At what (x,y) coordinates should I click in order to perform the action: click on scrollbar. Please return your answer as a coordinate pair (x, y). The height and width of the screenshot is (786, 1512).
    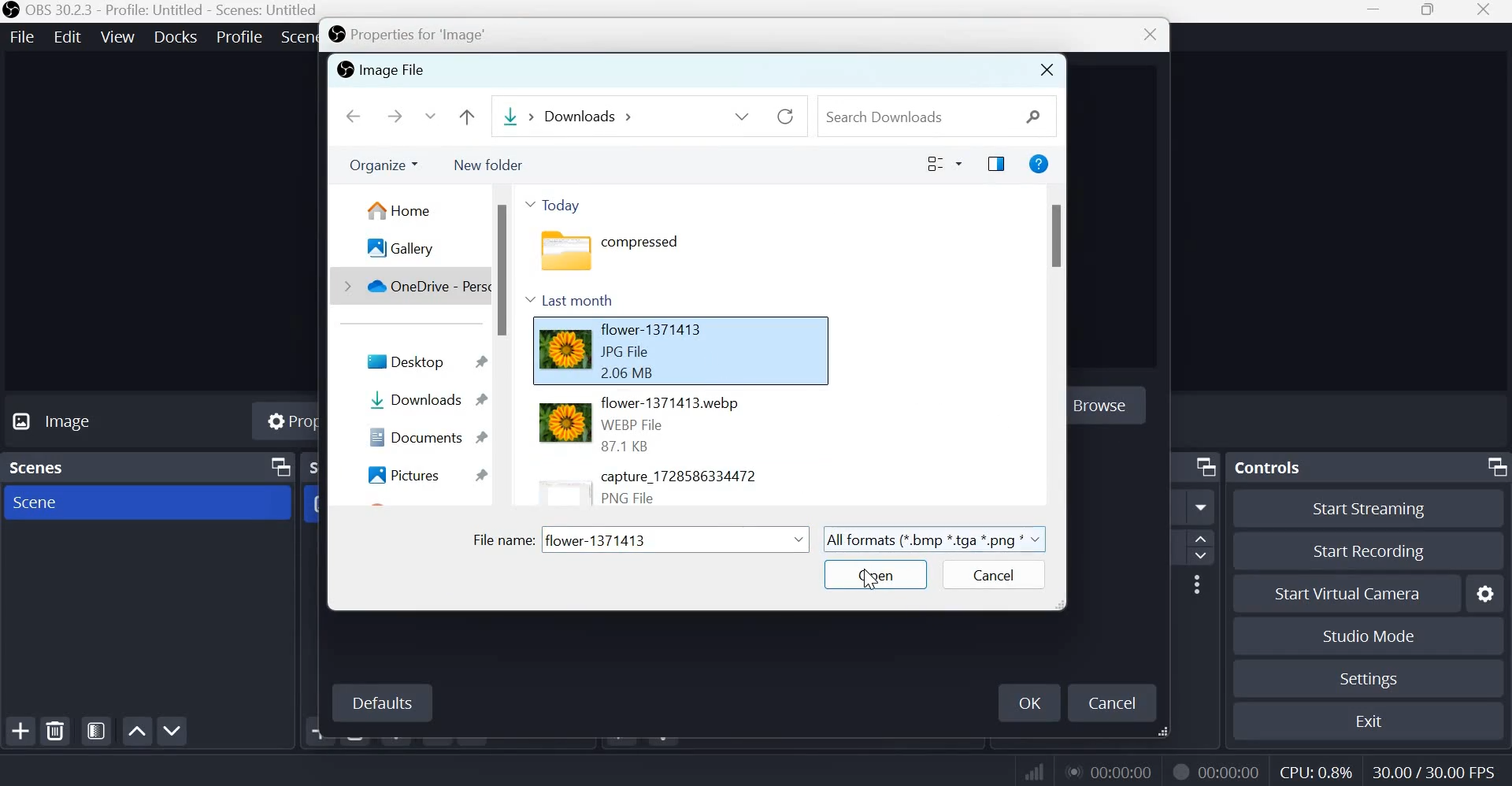
    Looking at the image, I should click on (1058, 344).